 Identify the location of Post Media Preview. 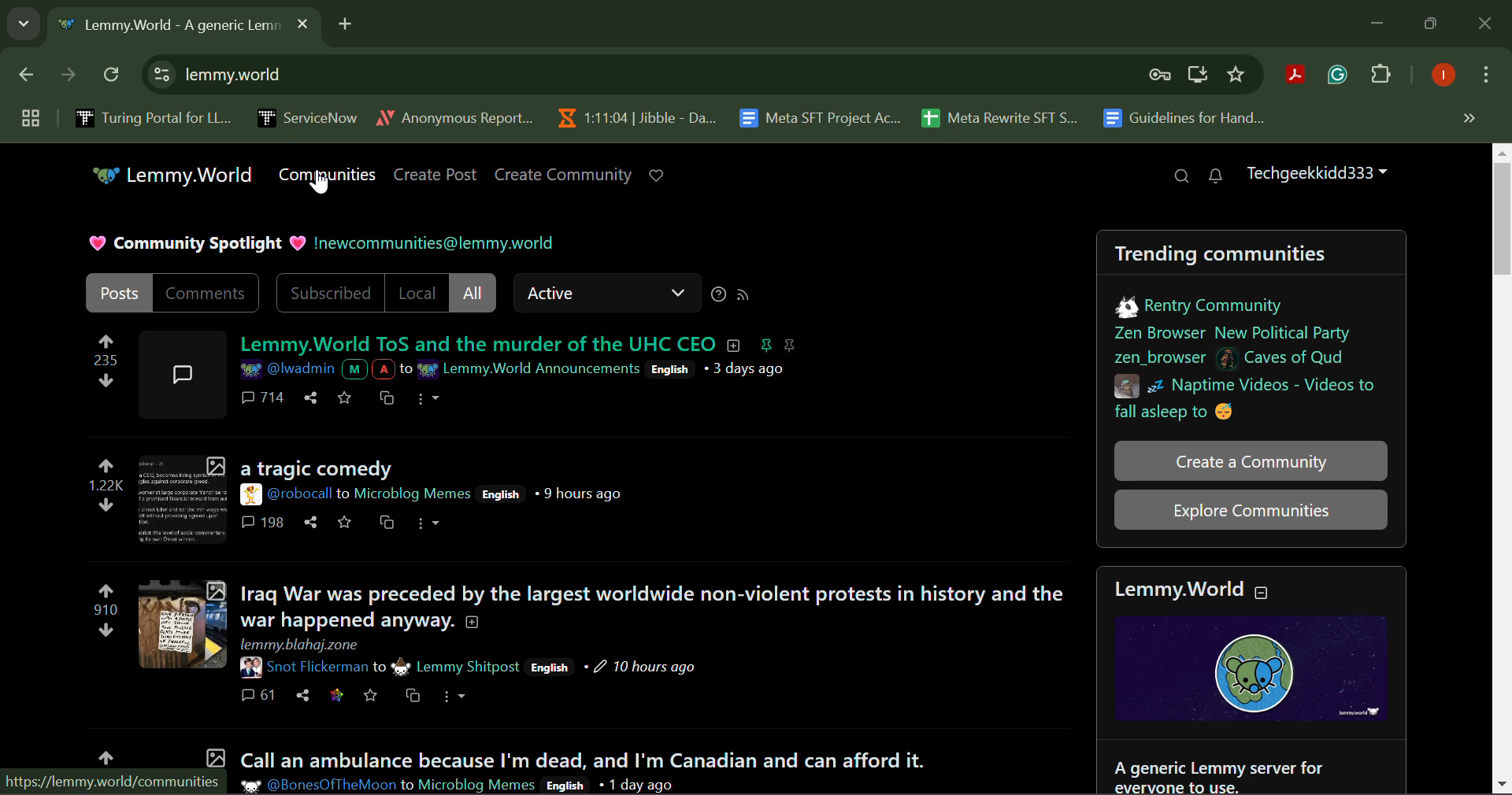
(180, 501).